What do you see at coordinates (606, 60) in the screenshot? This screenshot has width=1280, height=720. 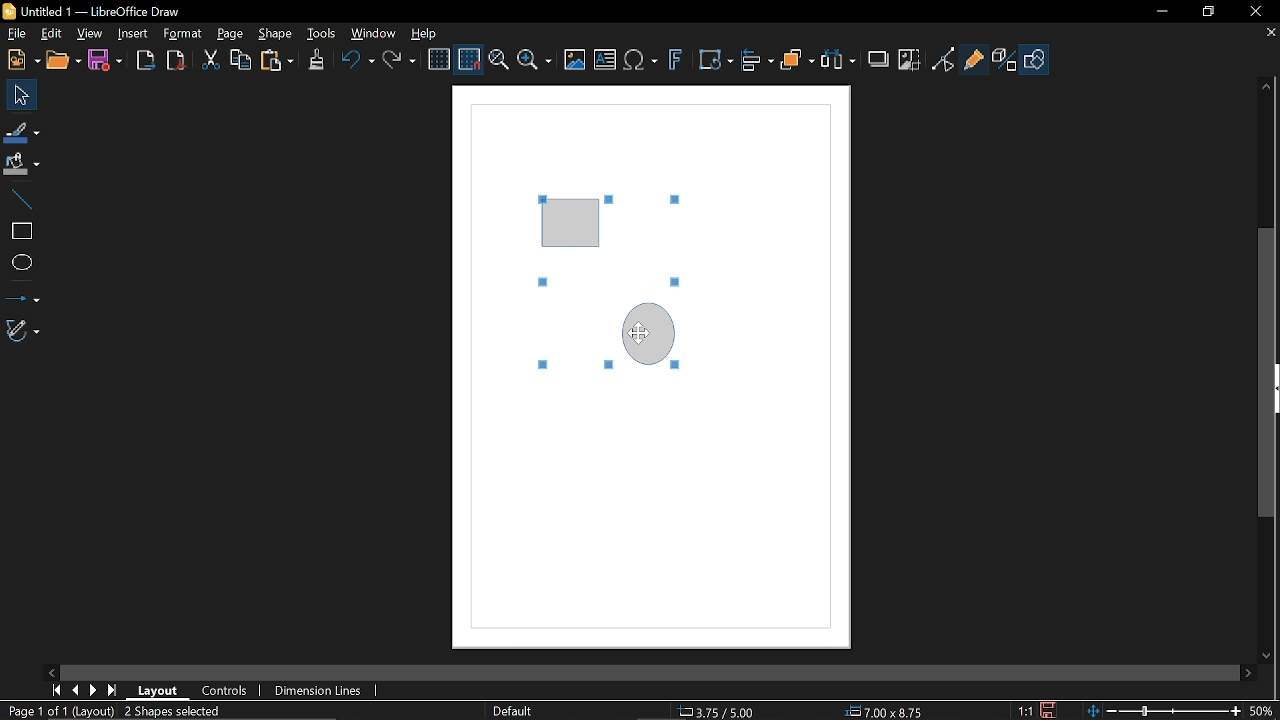 I see `Insert text` at bounding box center [606, 60].